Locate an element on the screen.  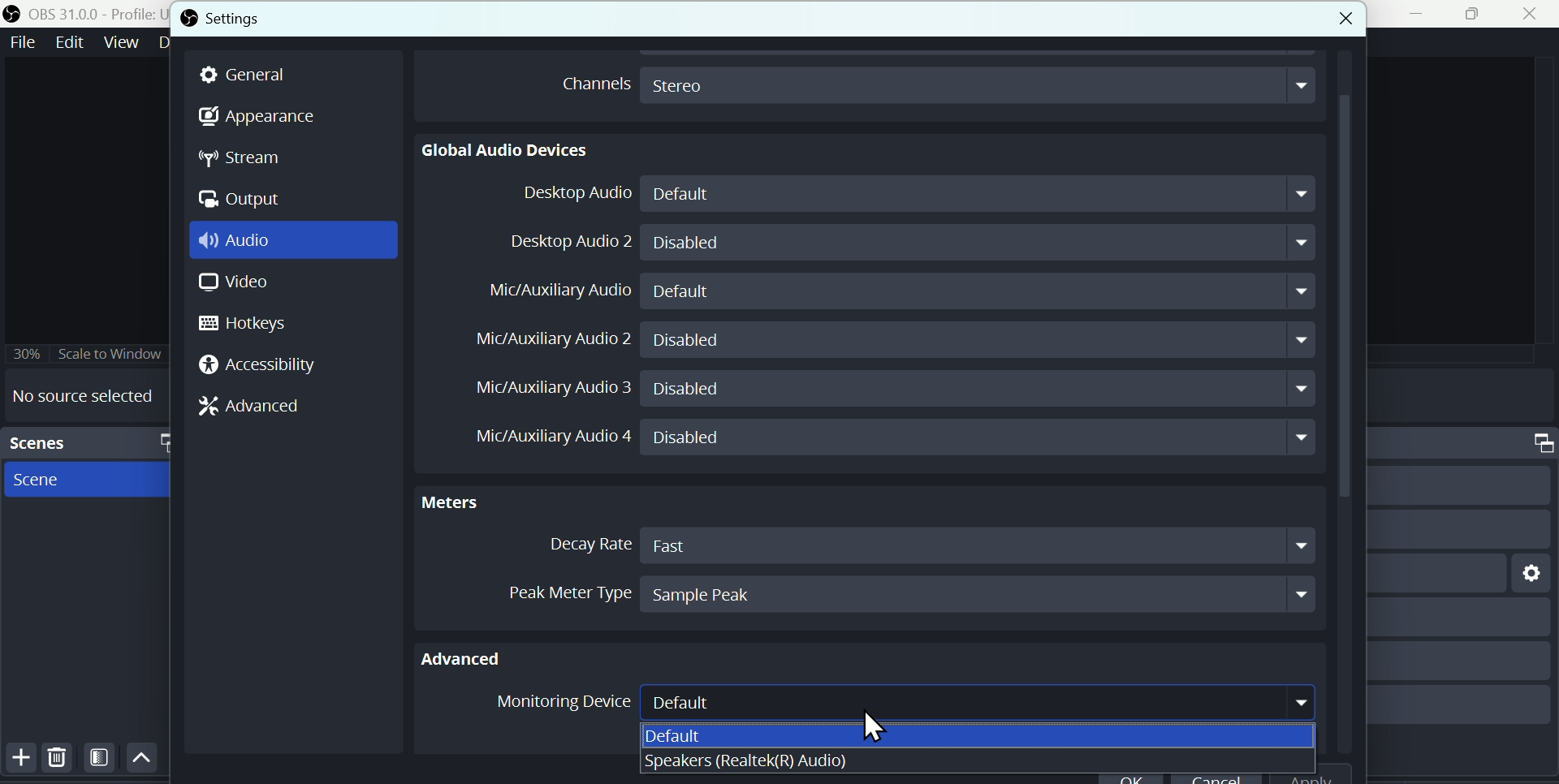
Desktop Audio 2 is located at coordinates (567, 241).